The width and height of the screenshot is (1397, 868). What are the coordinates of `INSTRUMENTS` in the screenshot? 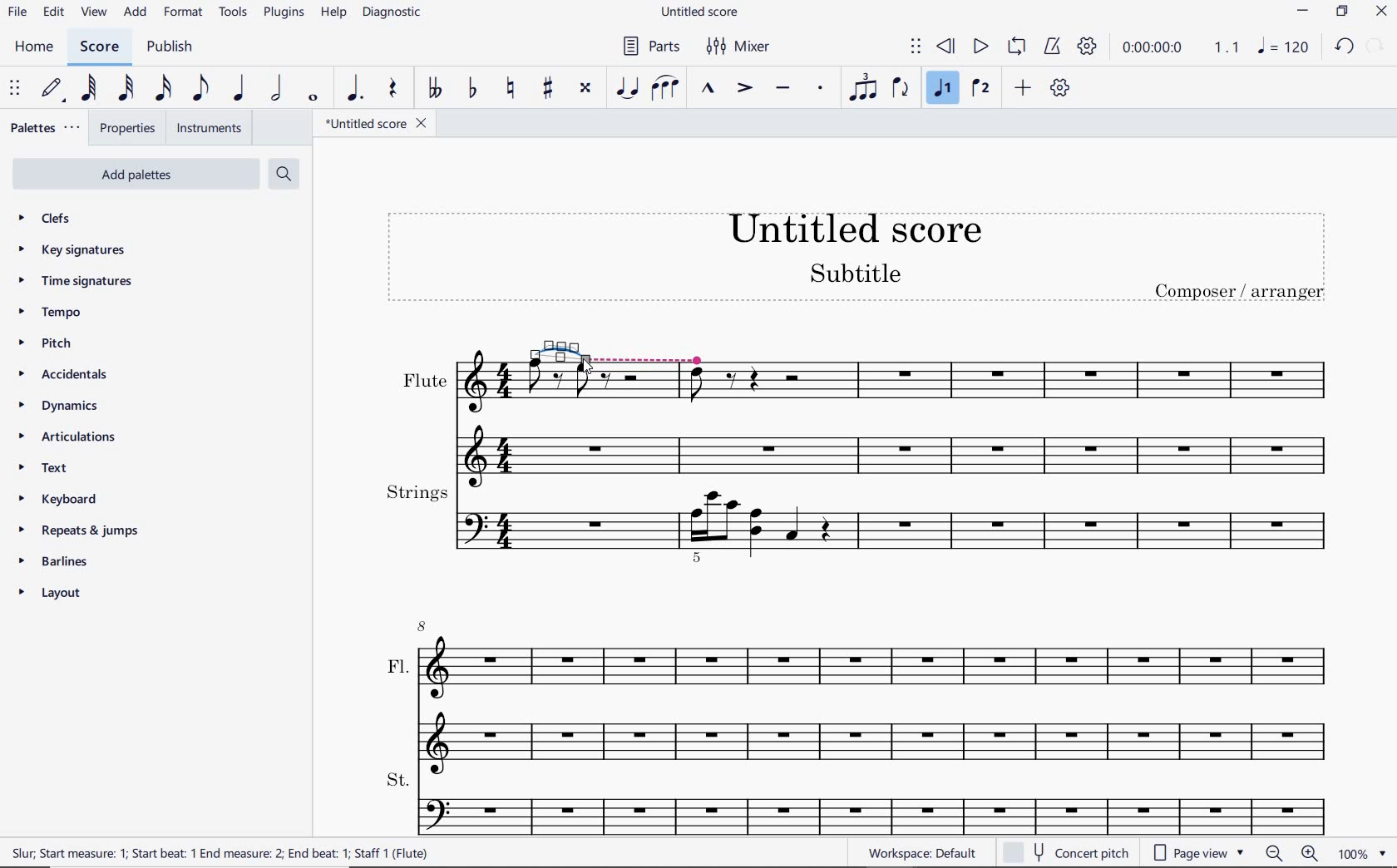 It's located at (207, 127).